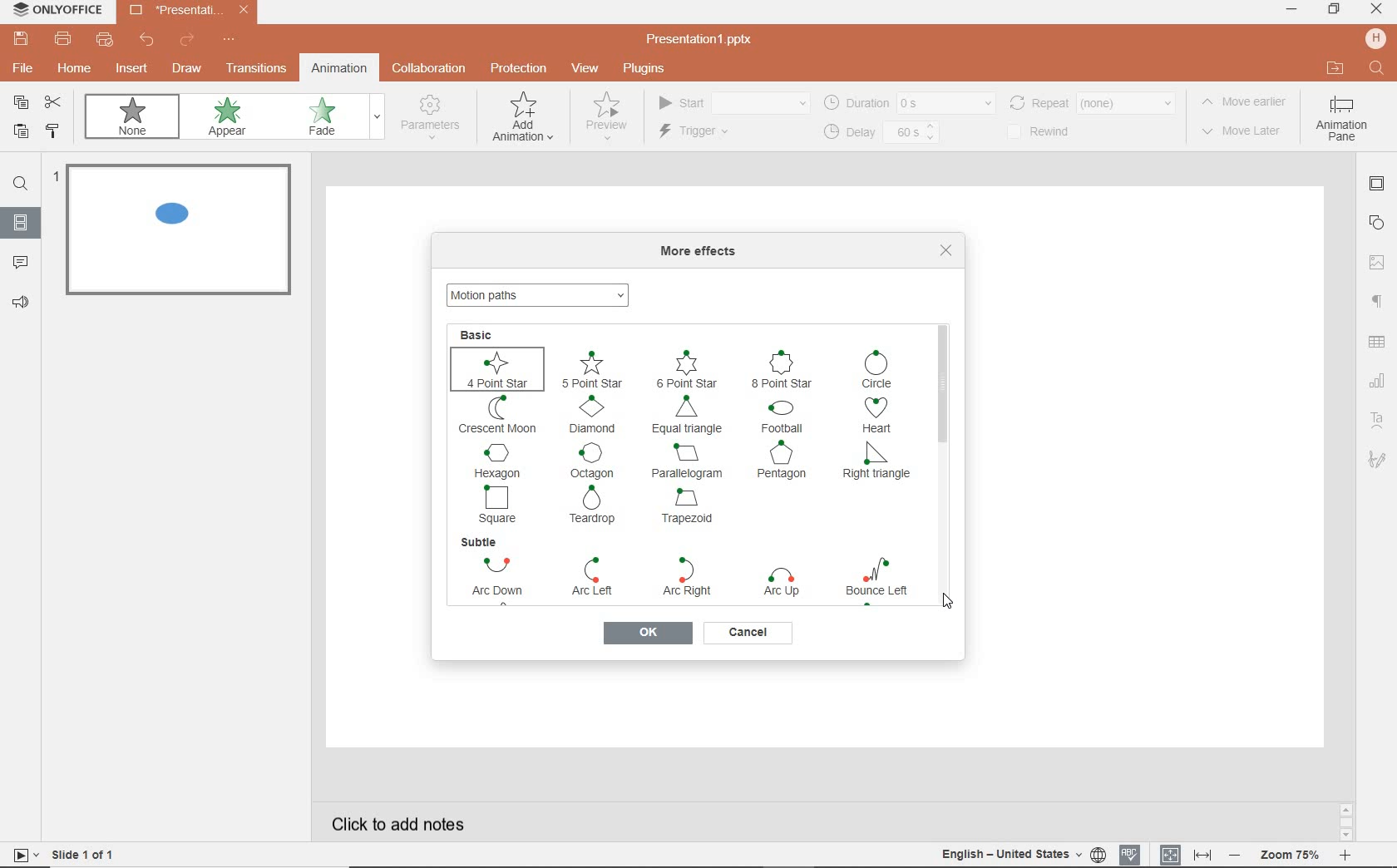 The image size is (1397, 868). What do you see at coordinates (594, 415) in the screenshot?
I see `DIAMOND` at bounding box center [594, 415].